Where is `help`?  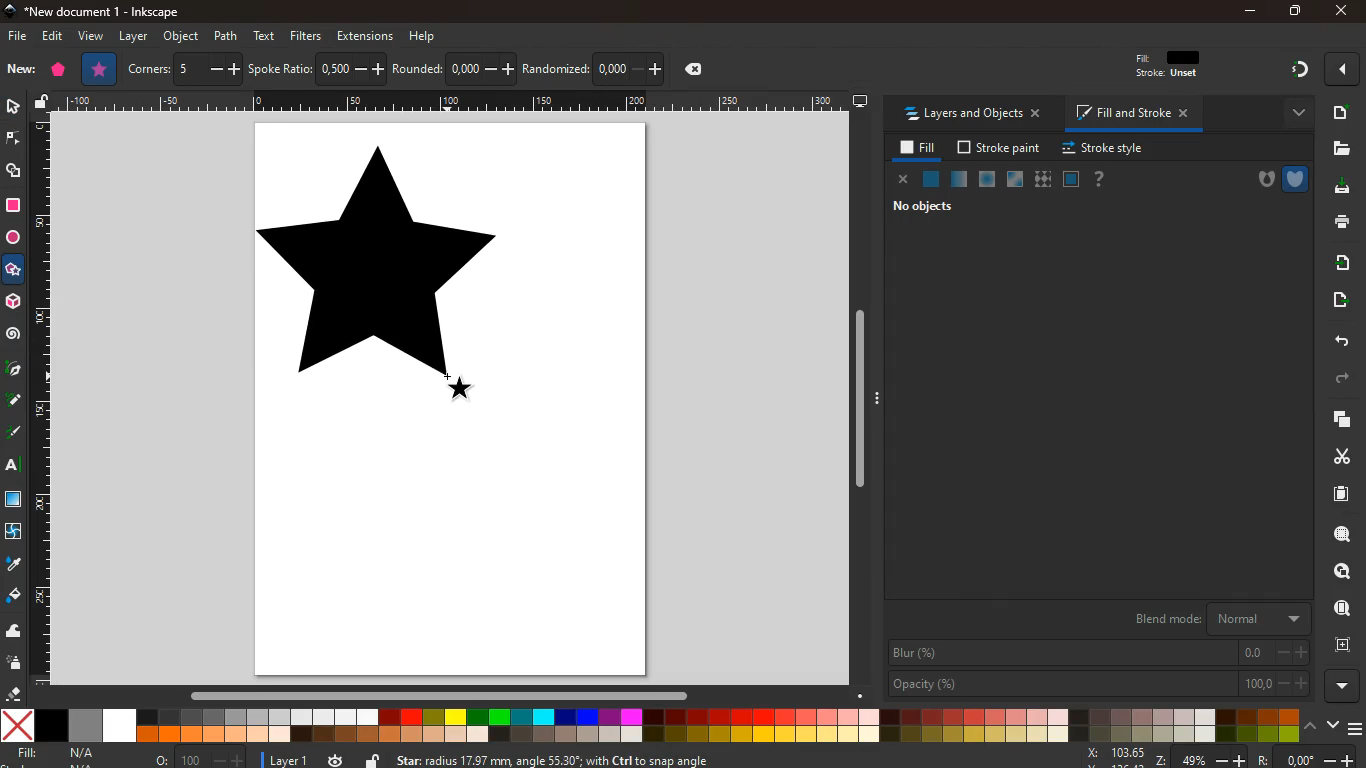
help is located at coordinates (424, 38).